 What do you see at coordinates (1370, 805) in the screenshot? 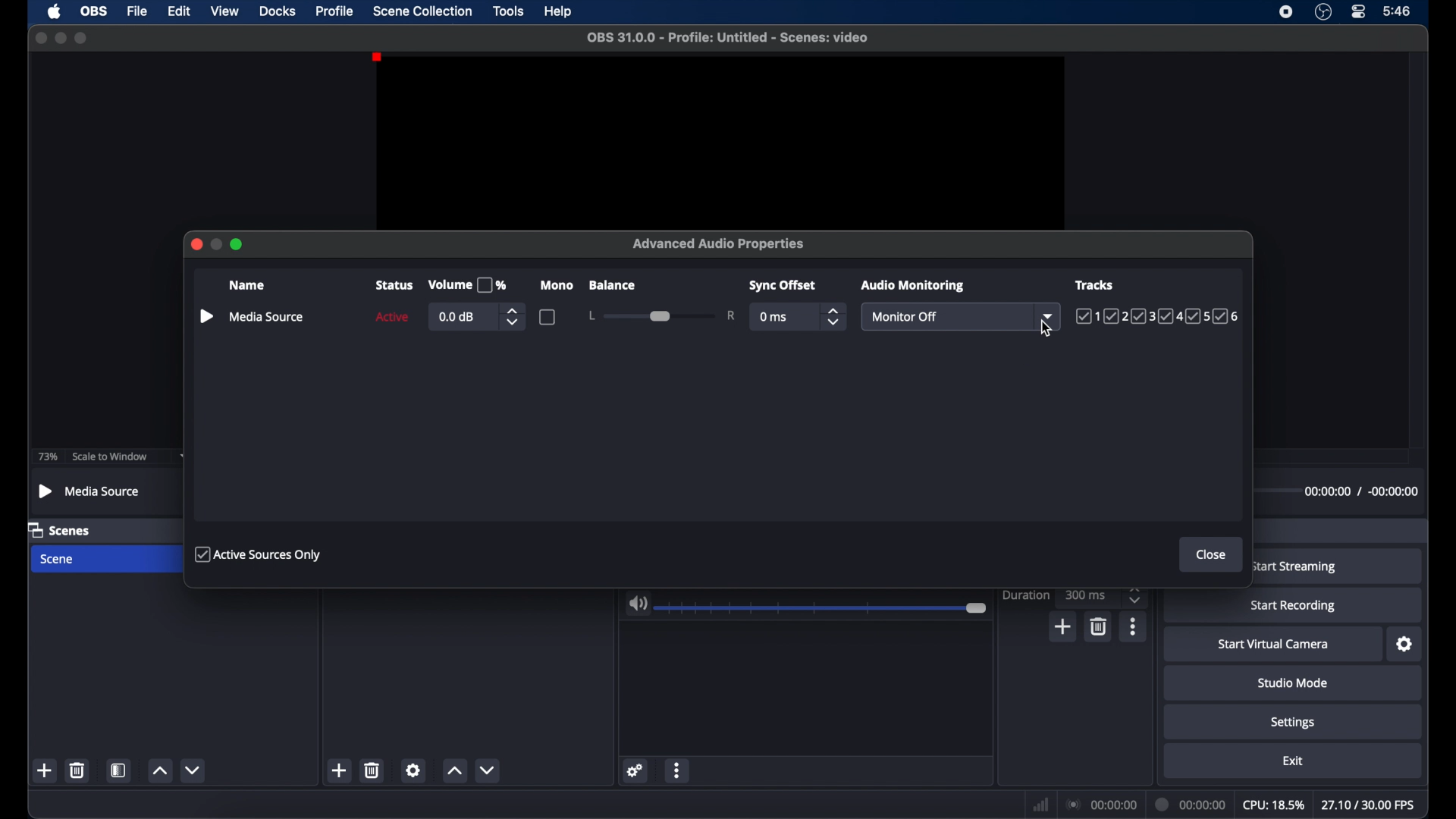
I see `fps` at bounding box center [1370, 805].